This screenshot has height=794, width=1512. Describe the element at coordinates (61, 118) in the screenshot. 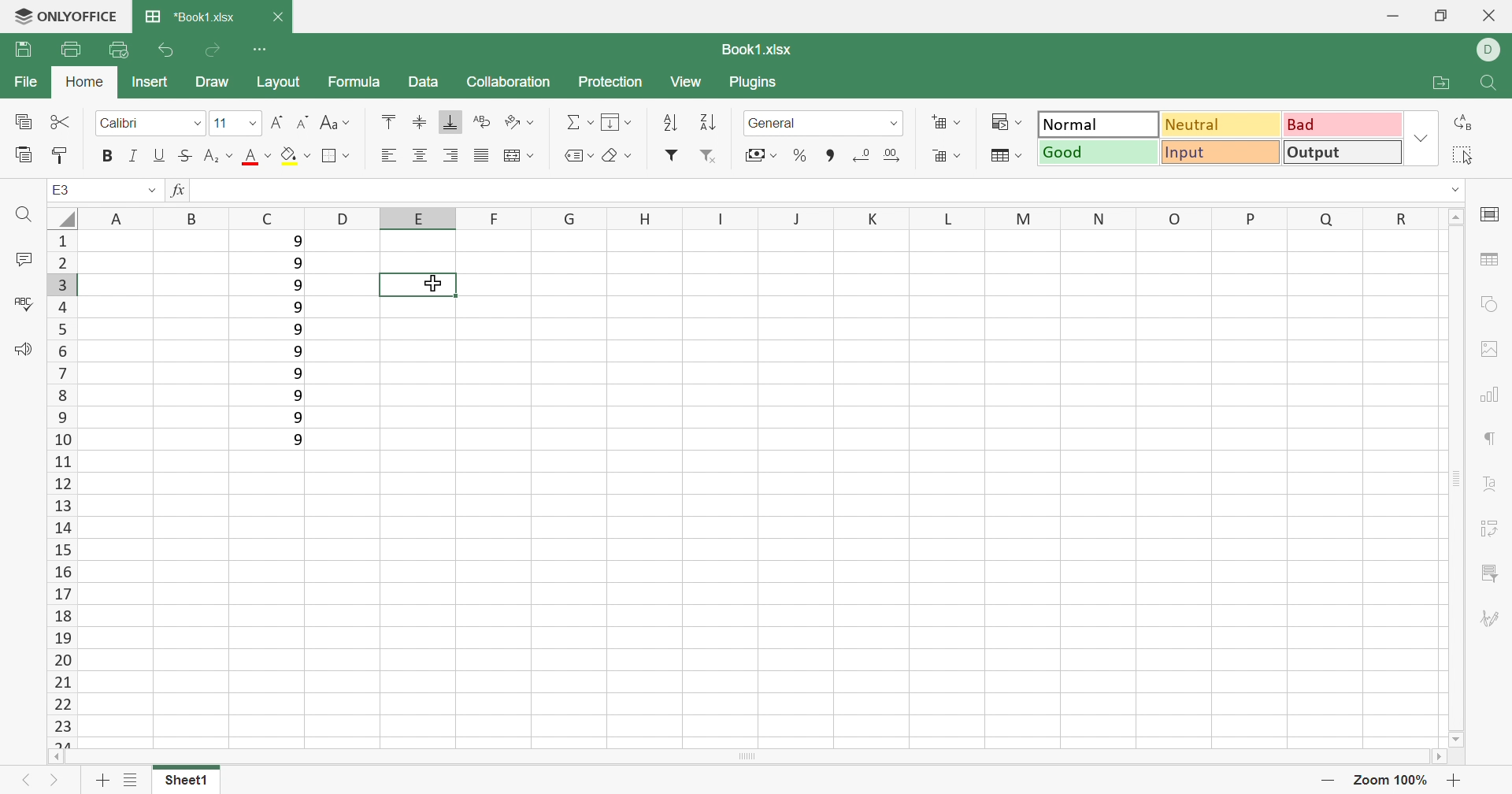

I see `Cut` at that location.